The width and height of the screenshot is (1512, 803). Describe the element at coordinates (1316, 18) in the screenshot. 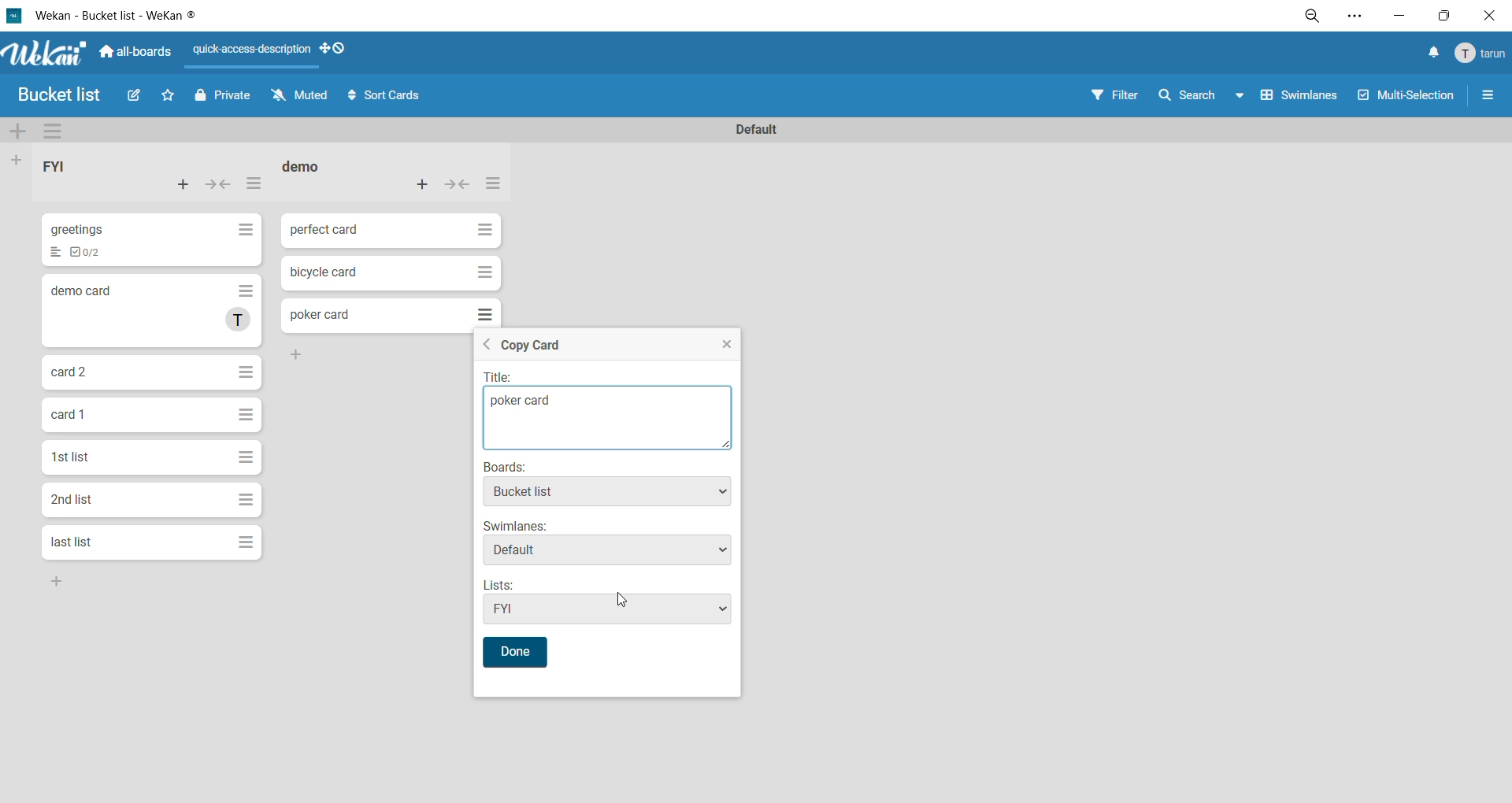

I see `zoom` at that location.